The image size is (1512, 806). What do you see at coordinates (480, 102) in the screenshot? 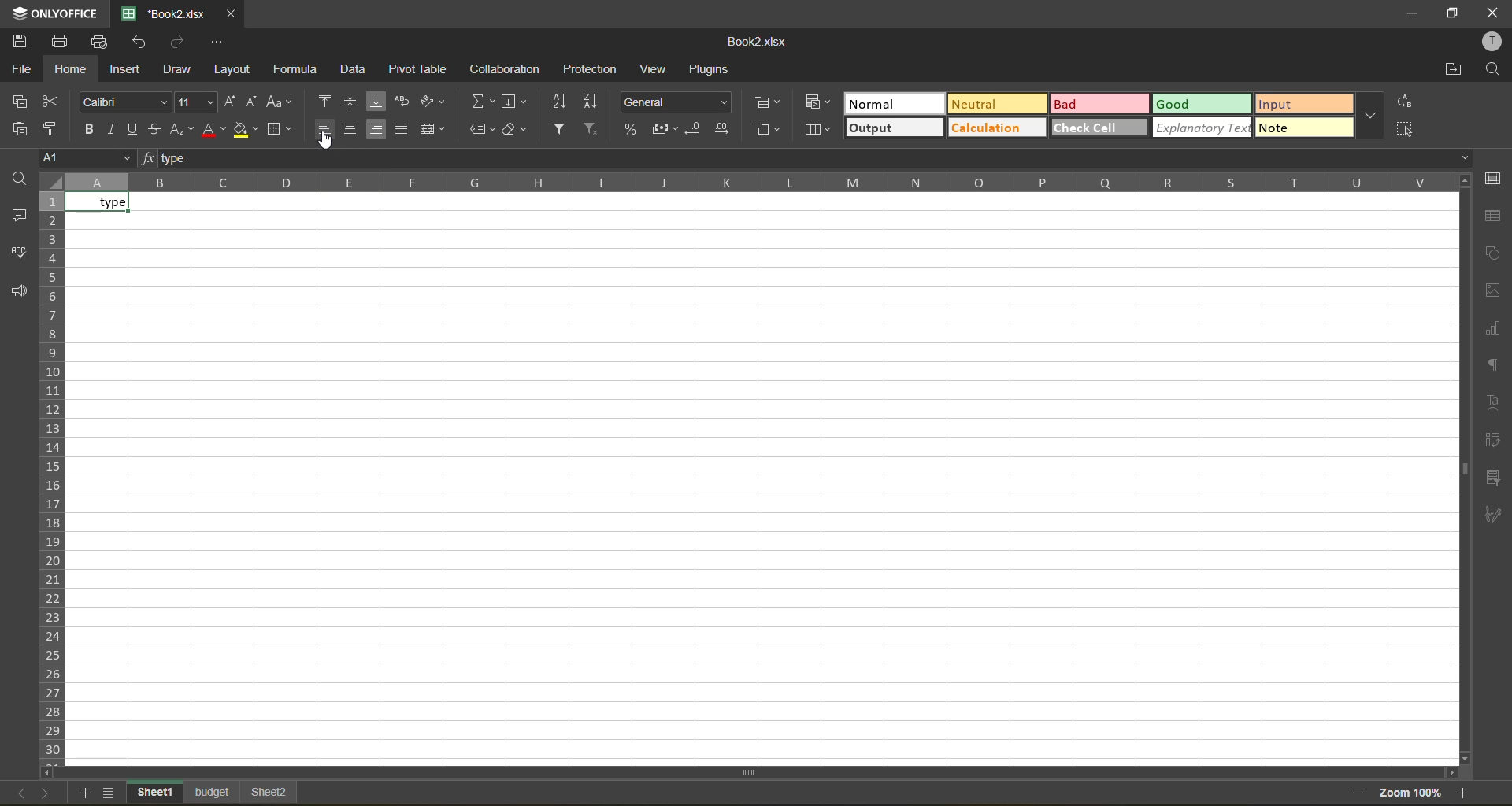
I see `summation` at bounding box center [480, 102].